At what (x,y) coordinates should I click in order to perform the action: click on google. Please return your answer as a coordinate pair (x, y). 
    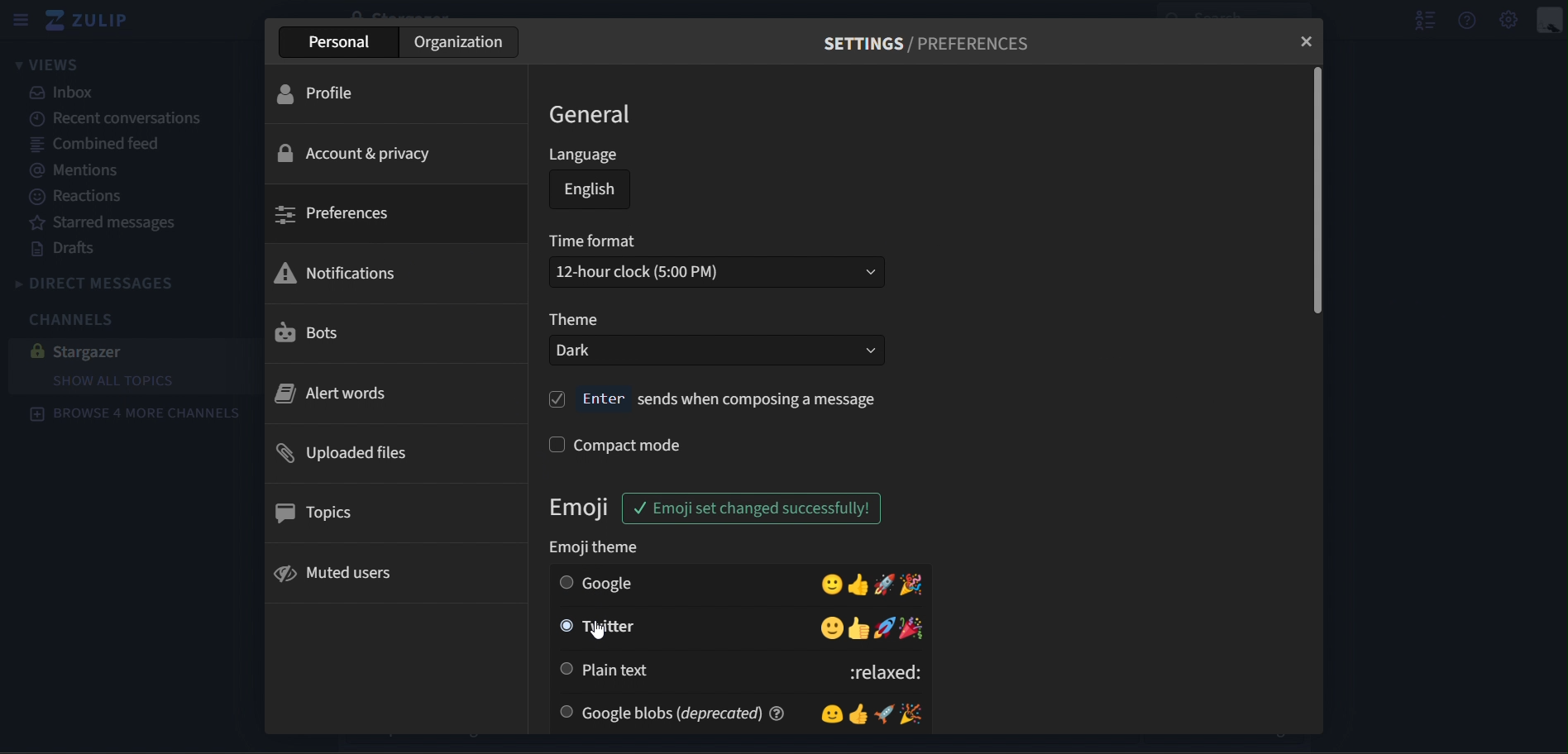
    Looking at the image, I should click on (741, 583).